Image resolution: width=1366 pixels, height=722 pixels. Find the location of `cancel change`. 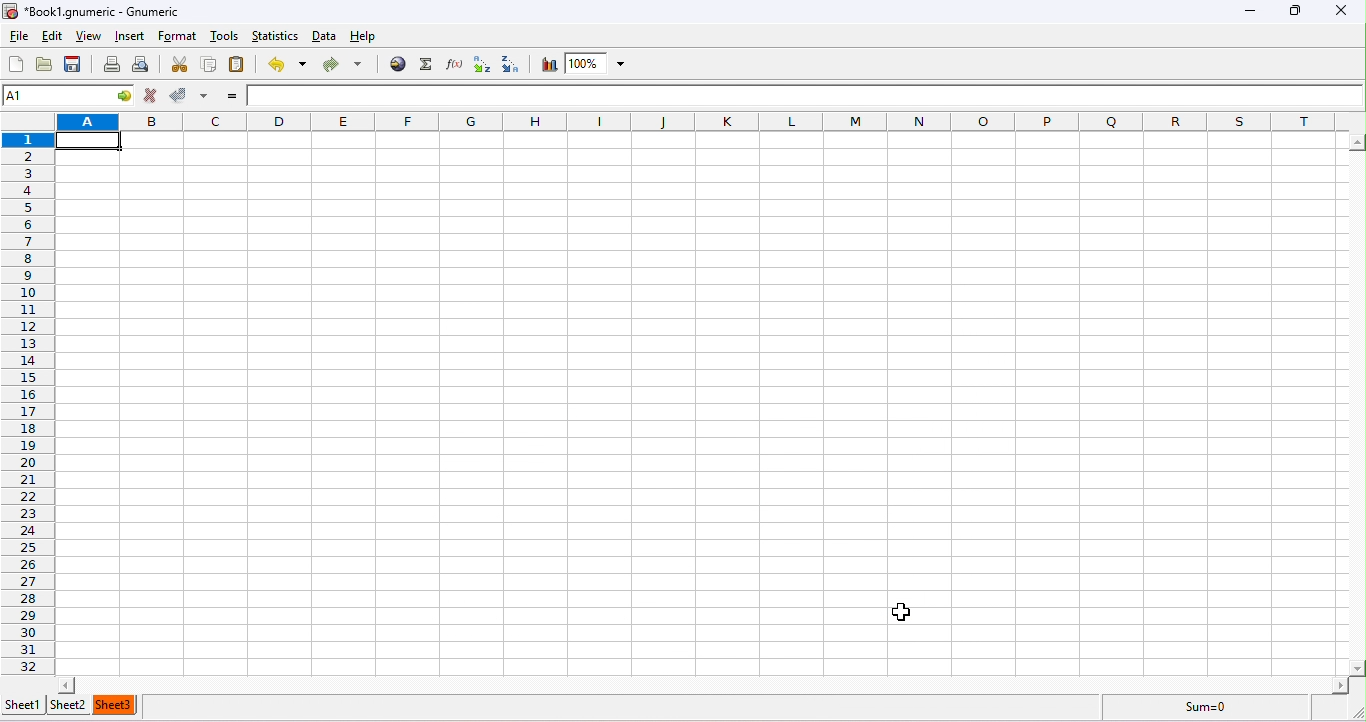

cancel change is located at coordinates (152, 98).